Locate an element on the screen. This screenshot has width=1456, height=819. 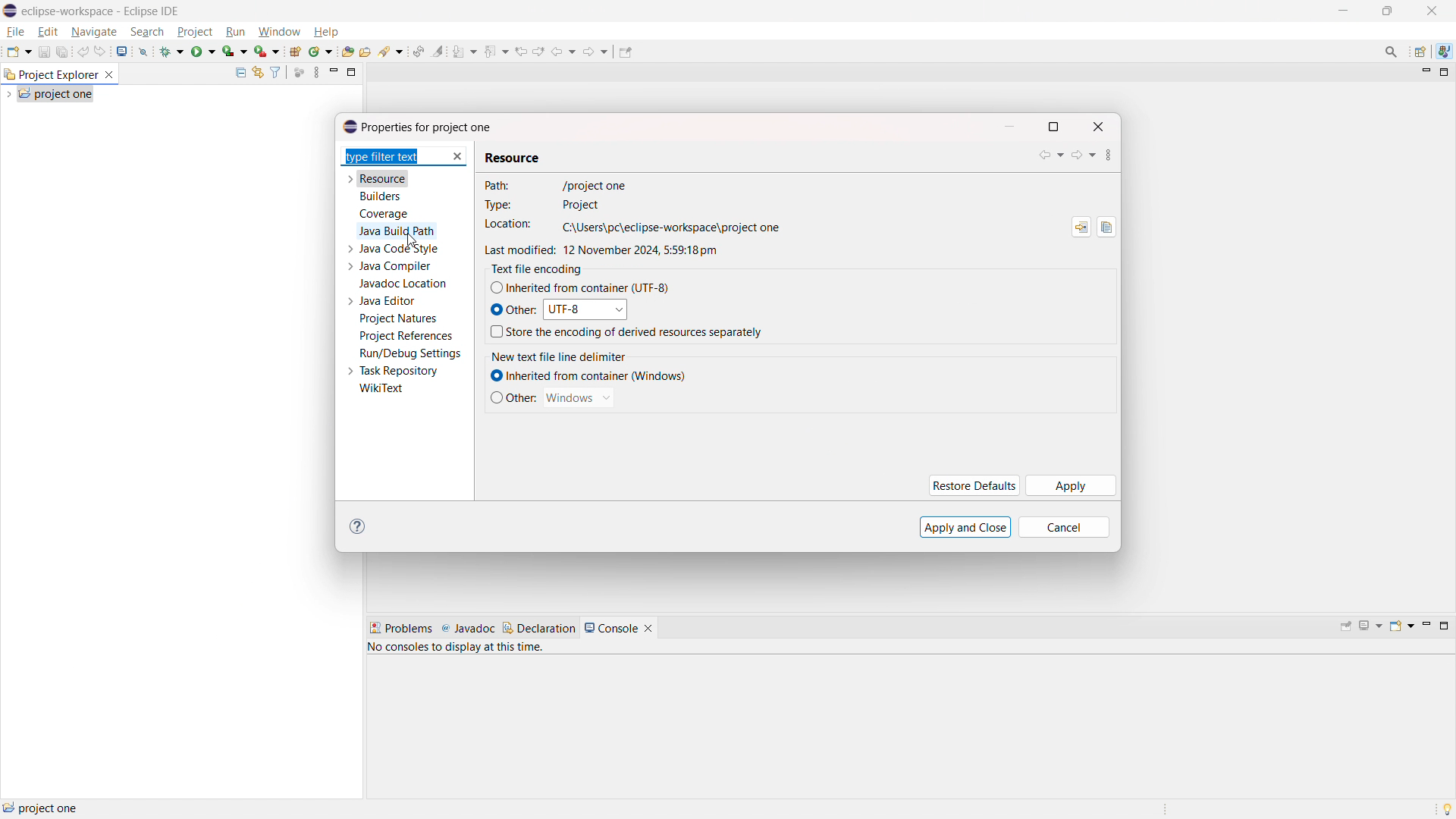
Last modified: 12 November 2024. 5:59:18 pm is located at coordinates (621, 249).